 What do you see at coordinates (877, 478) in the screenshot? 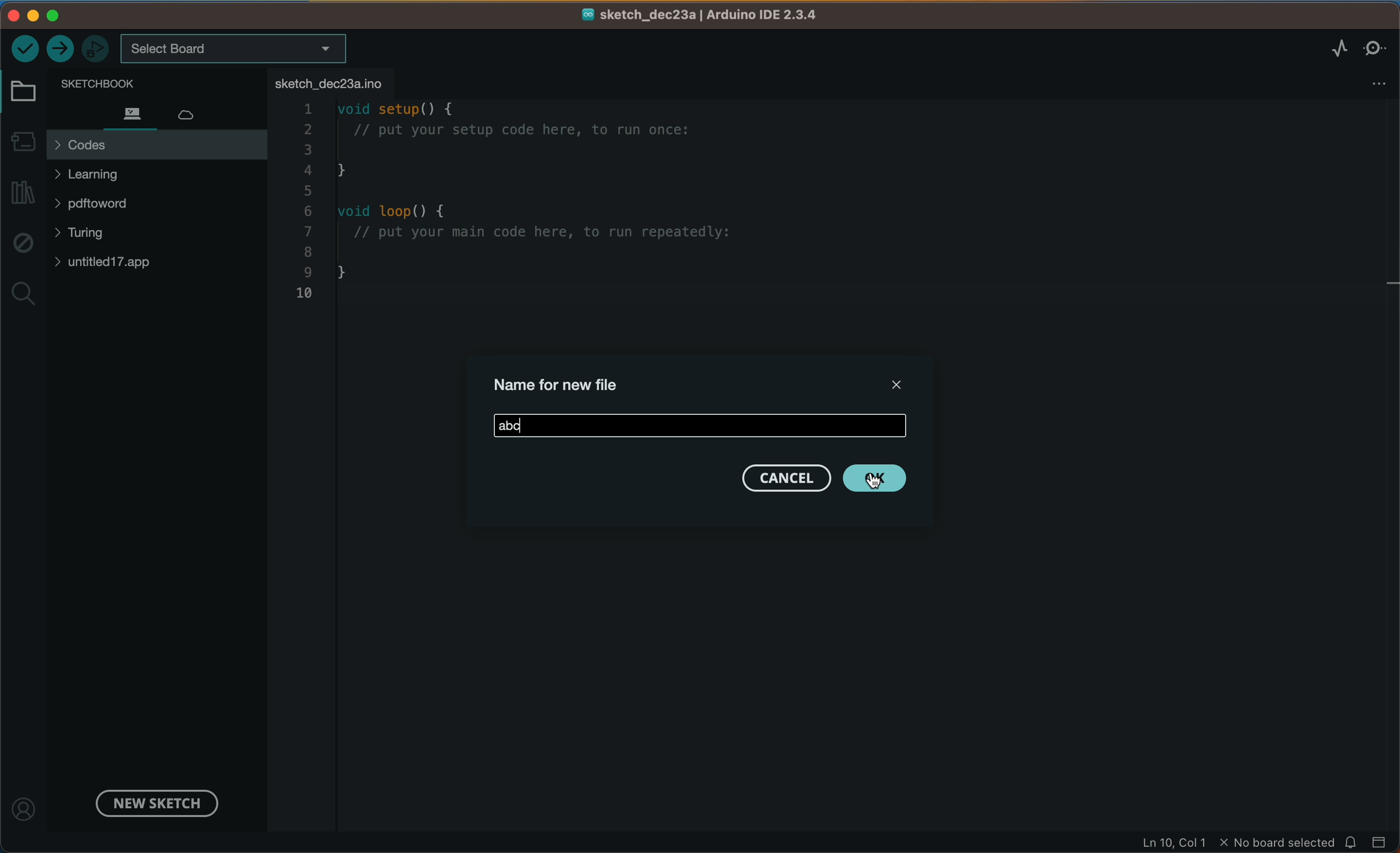
I see `clicked` at bounding box center [877, 478].